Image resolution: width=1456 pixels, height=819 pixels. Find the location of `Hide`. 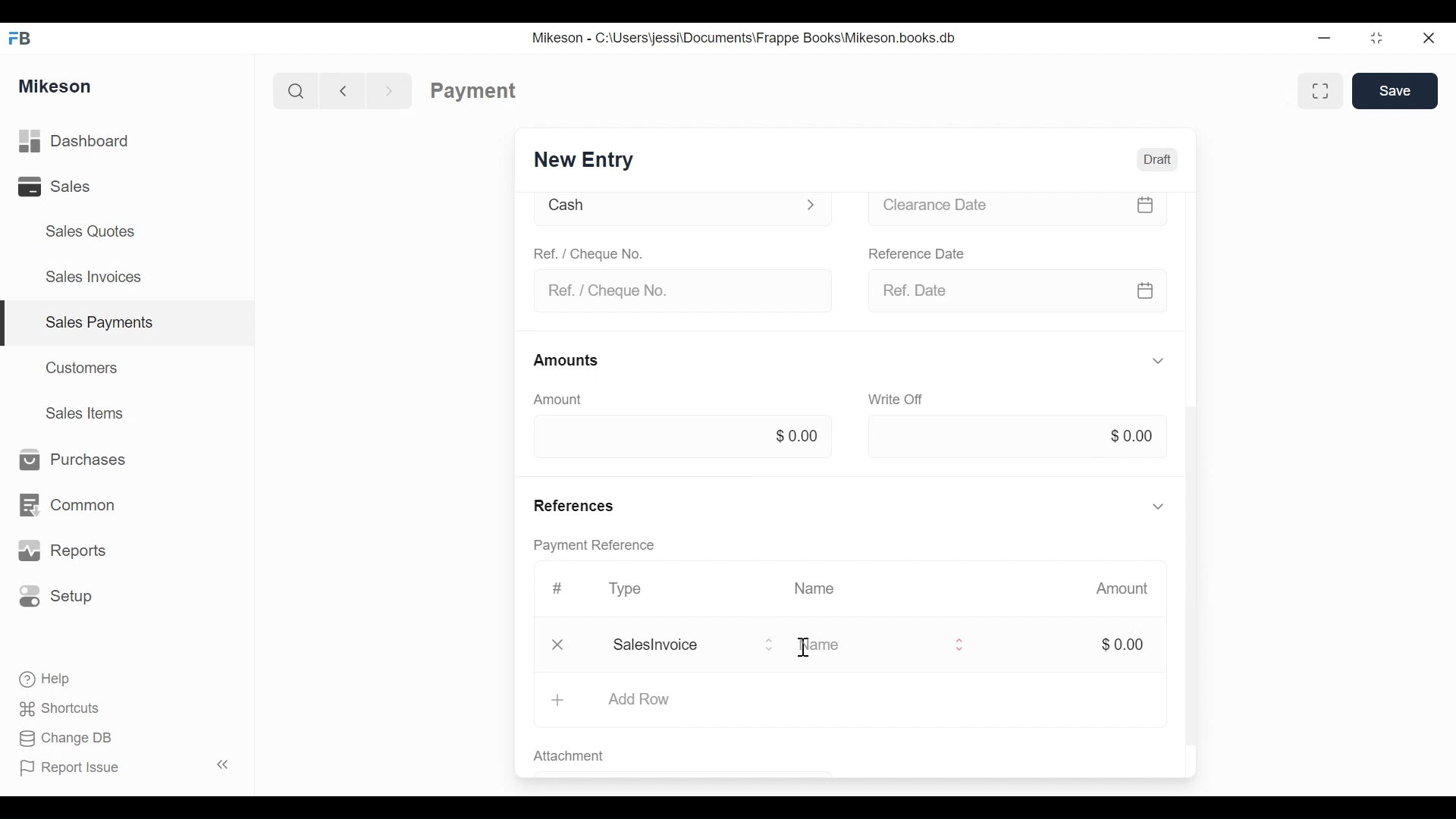

Hide is located at coordinates (1158, 360).